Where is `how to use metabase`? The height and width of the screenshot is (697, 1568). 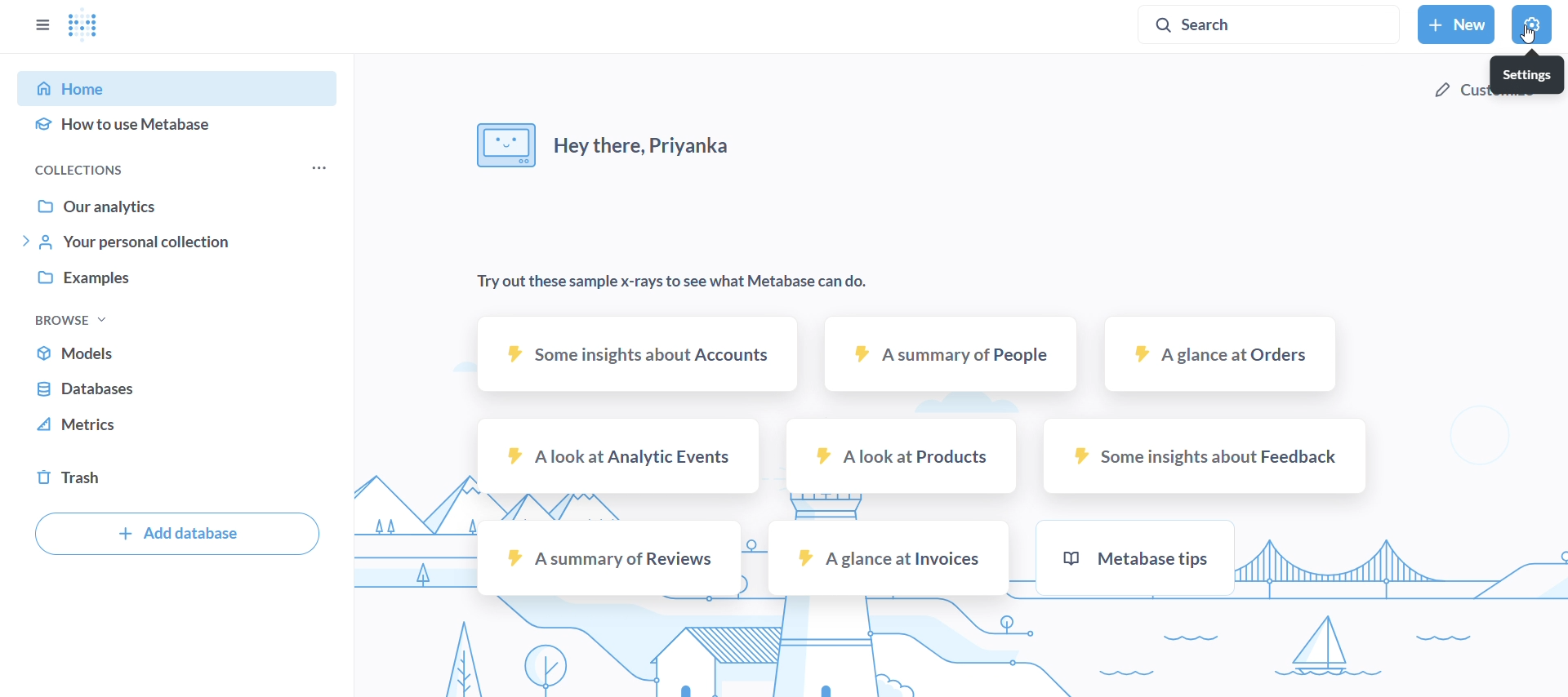 how to use metabase is located at coordinates (180, 126).